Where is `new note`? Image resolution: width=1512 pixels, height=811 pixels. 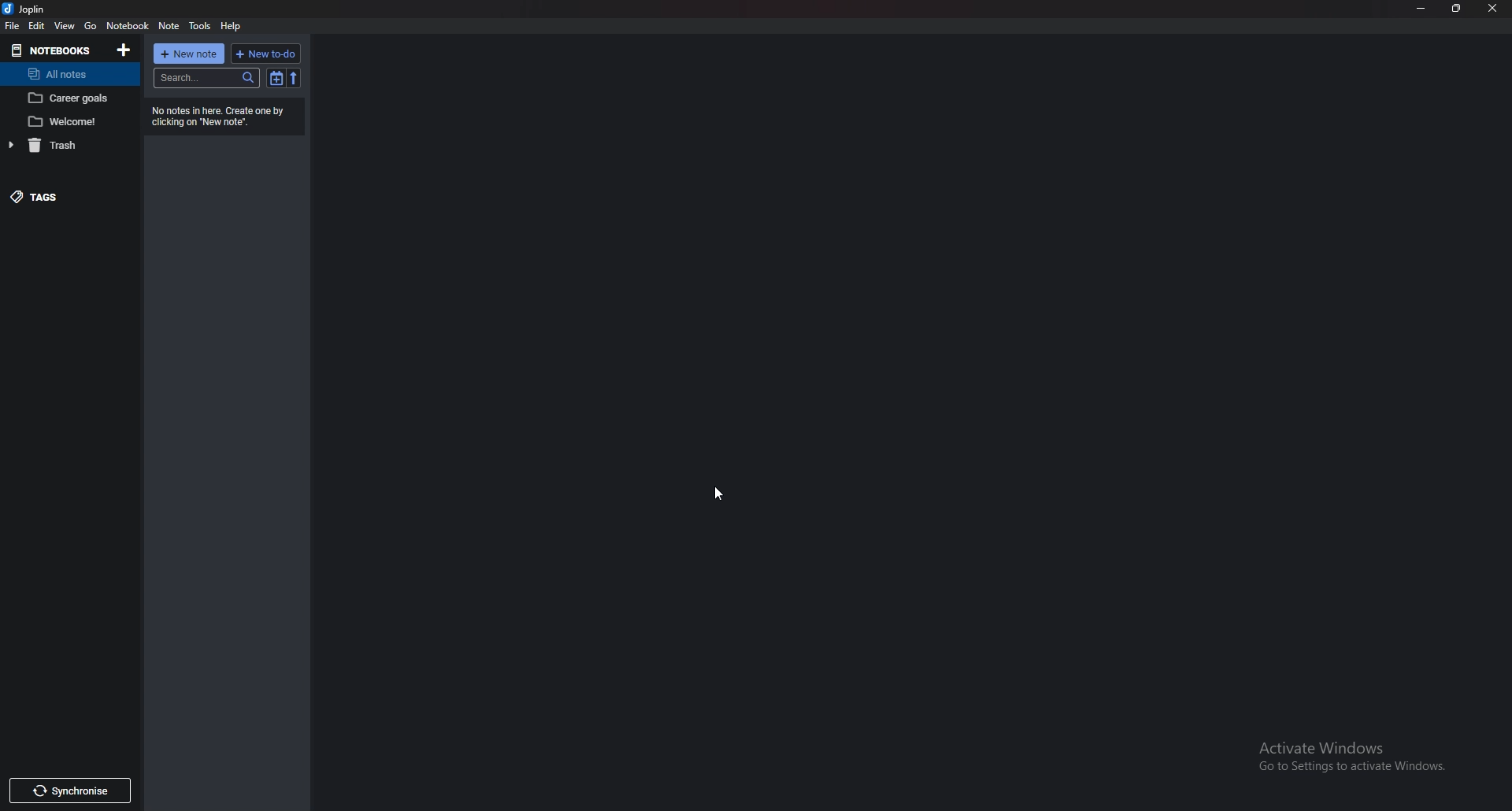 new note is located at coordinates (190, 54).